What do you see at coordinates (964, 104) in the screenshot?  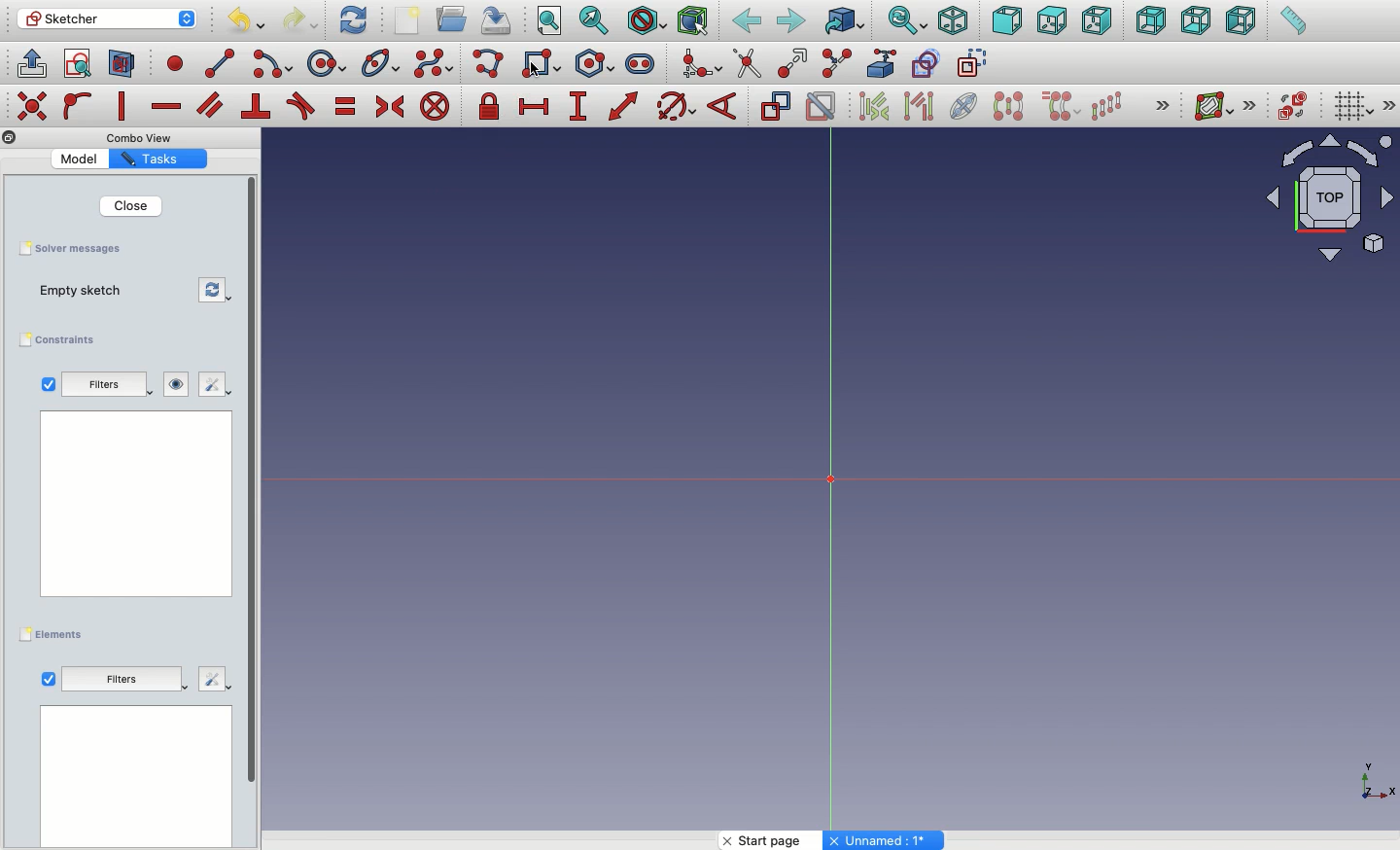 I see `Internal geometry ` at bounding box center [964, 104].